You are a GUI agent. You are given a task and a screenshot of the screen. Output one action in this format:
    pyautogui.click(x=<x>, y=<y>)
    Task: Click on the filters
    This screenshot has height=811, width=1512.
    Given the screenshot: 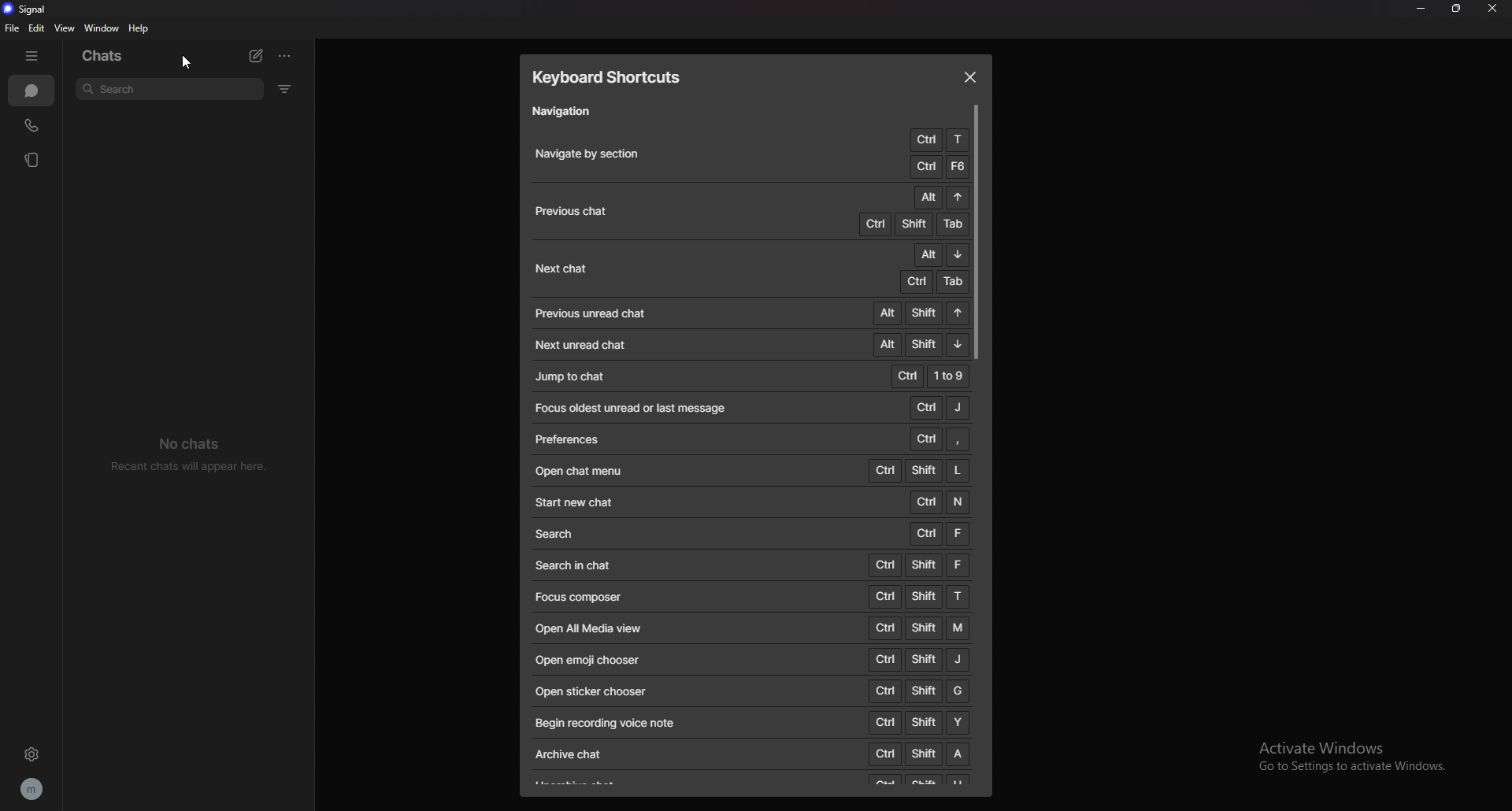 What is the action you would take?
    pyautogui.click(x=285, y=88)
    